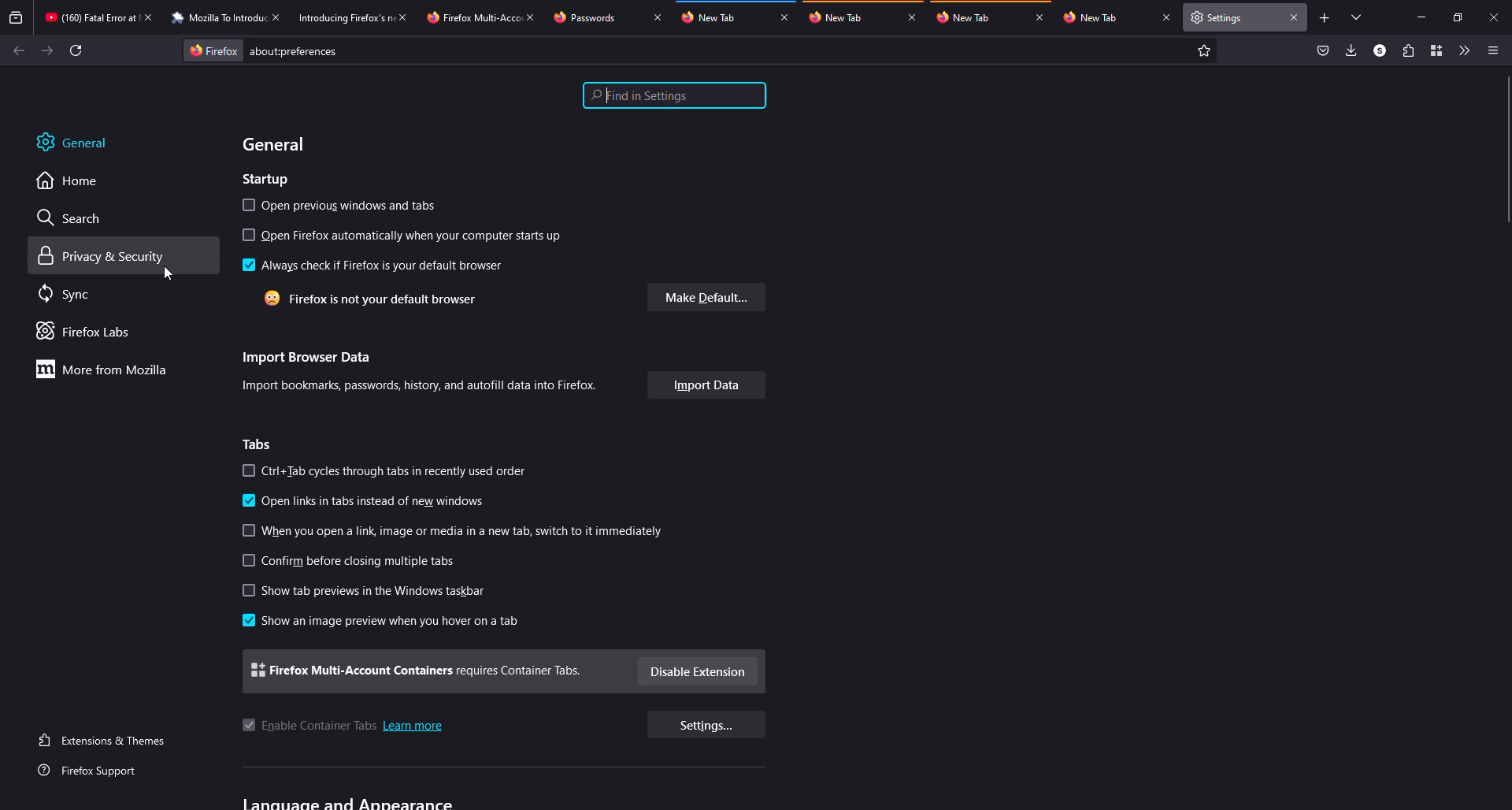  I want to click on close, so click(152, 17).